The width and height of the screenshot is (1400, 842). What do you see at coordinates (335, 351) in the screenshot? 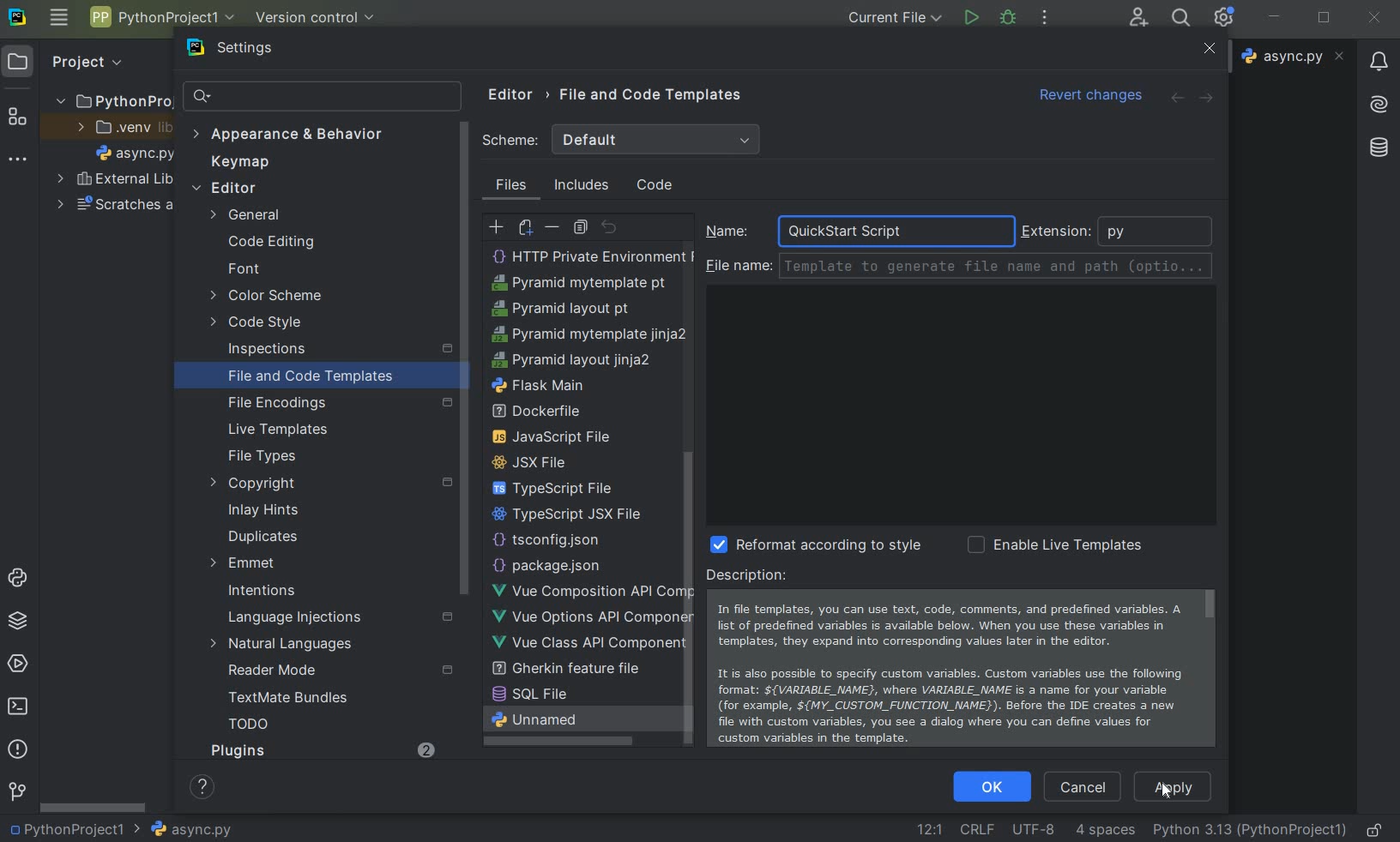
I see `inspections` at bounding box center [335, 351].